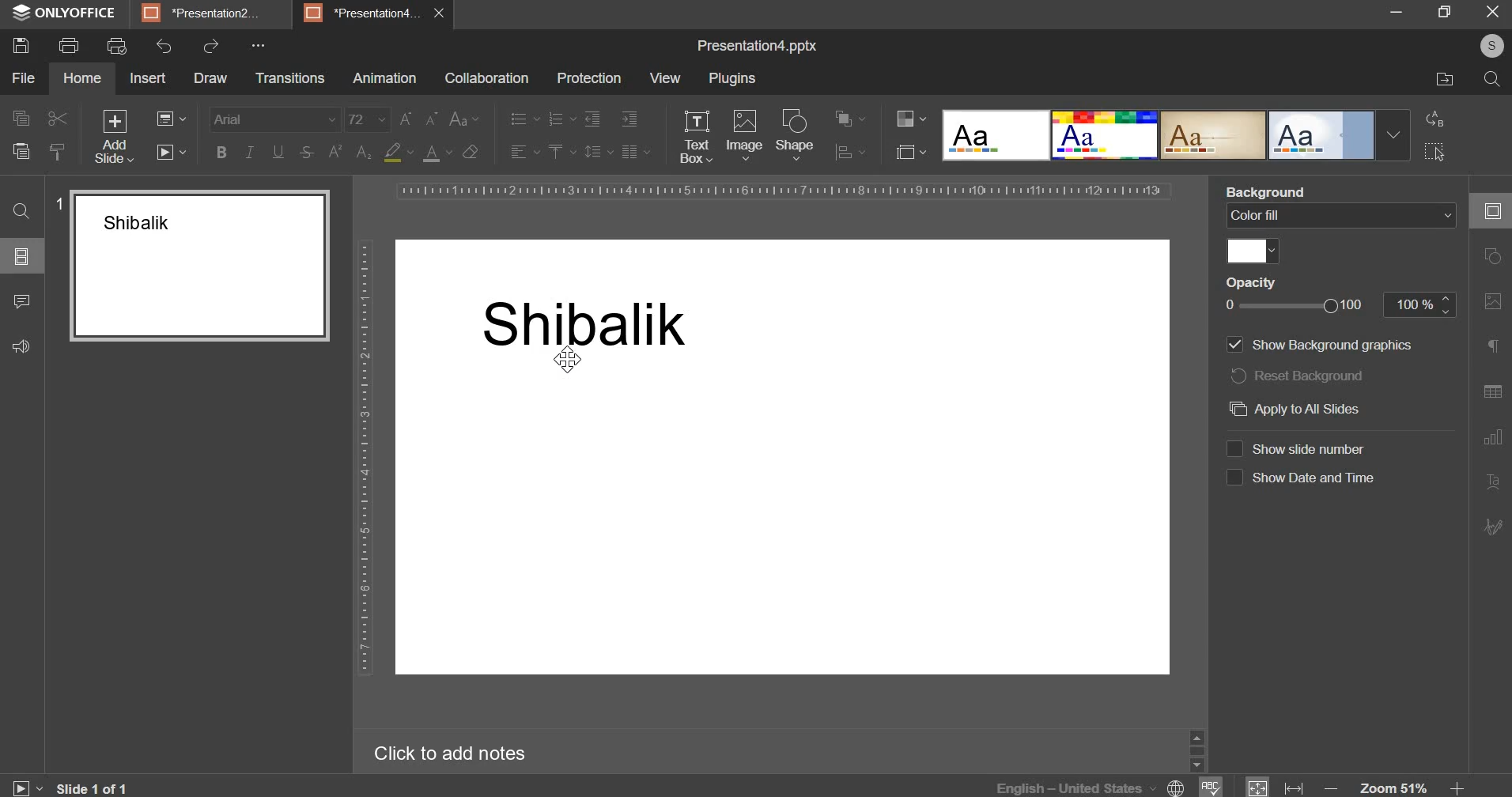 This screenshot has width=1512, height=797. I want to click on Color fill, so click(1339, 218).